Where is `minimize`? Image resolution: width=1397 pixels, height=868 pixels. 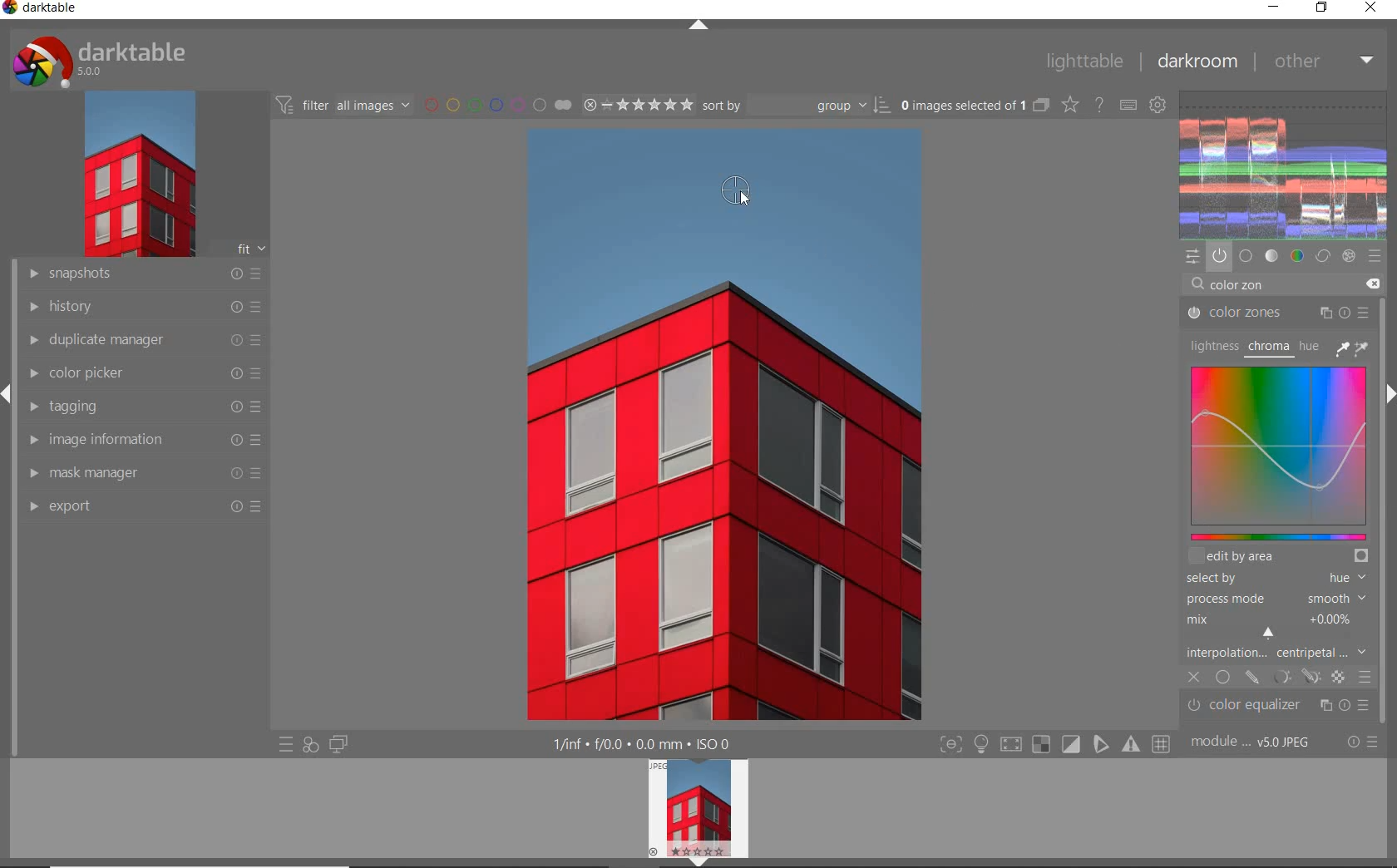 minimize is located at coordinates (1274, 8).